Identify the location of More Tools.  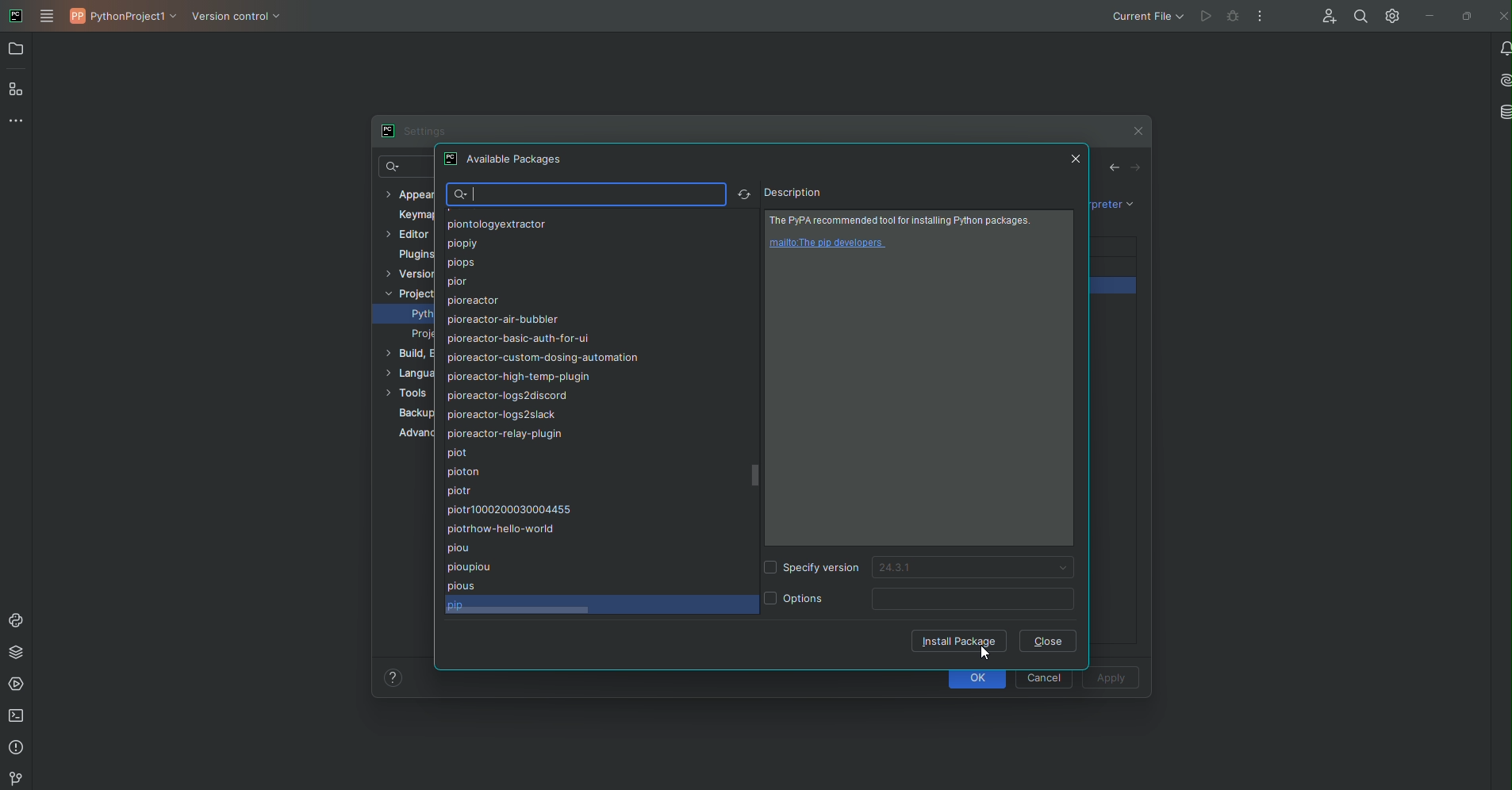
(15, 124).